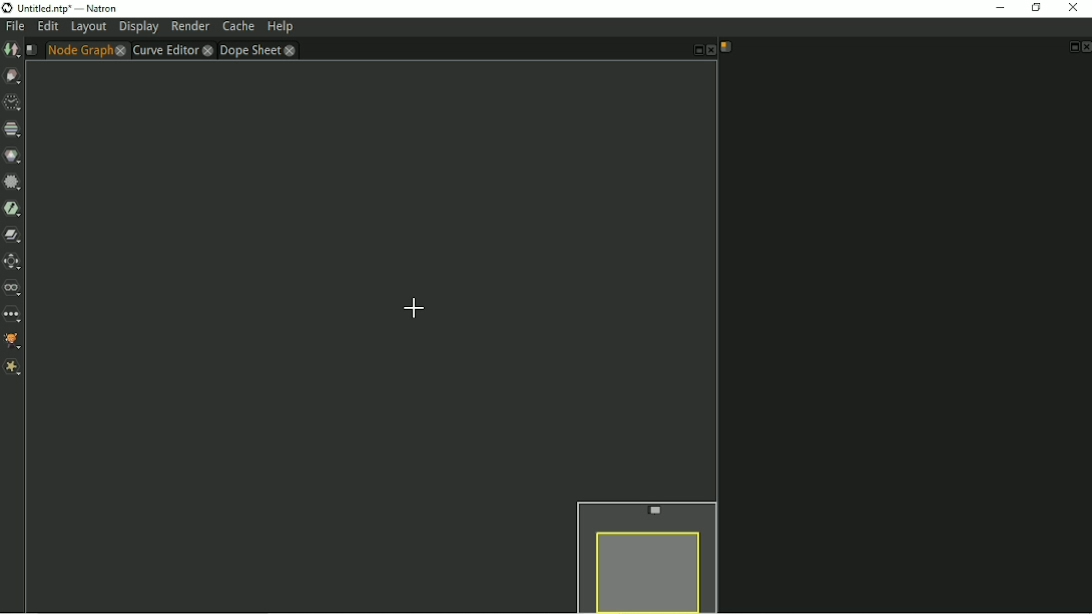 The image size is (1092, 614). What do you see at coordinates (694, 51) in the screenshot?
I see `Float pane` at bounding box center [694, 51].